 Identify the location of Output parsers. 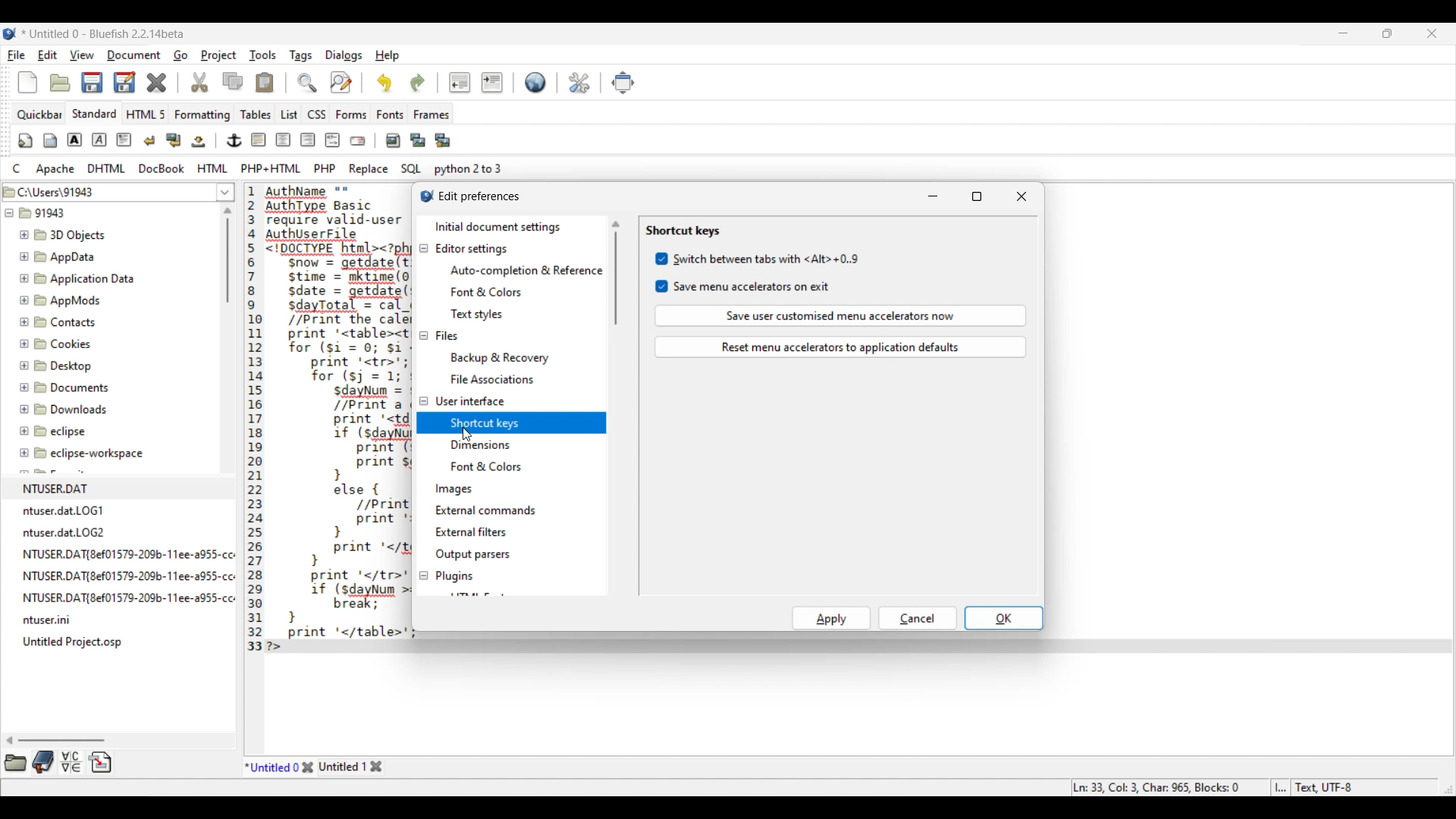
(472, 555).